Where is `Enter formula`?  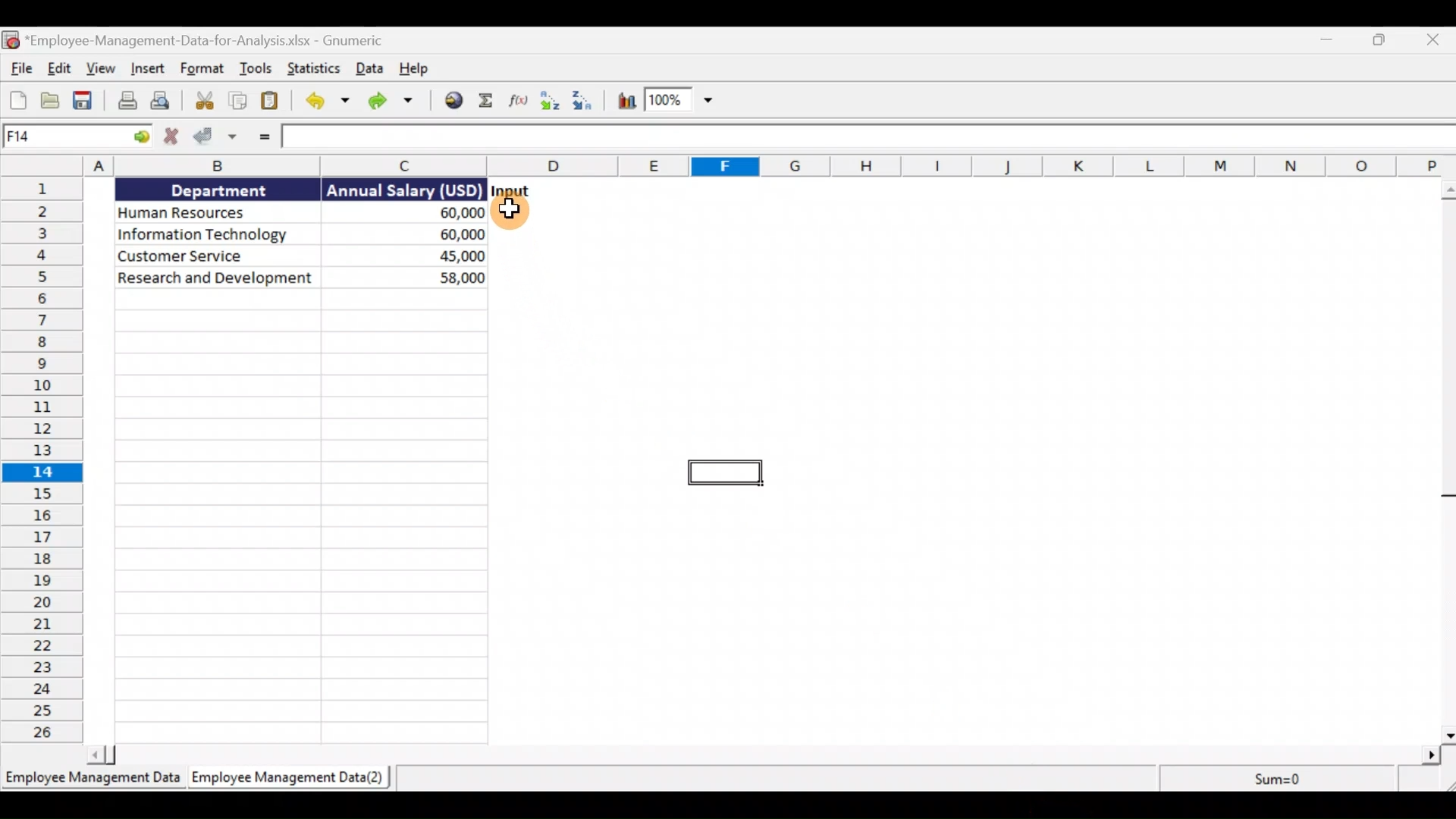
Enter formula is located at coordinates (265, 136).